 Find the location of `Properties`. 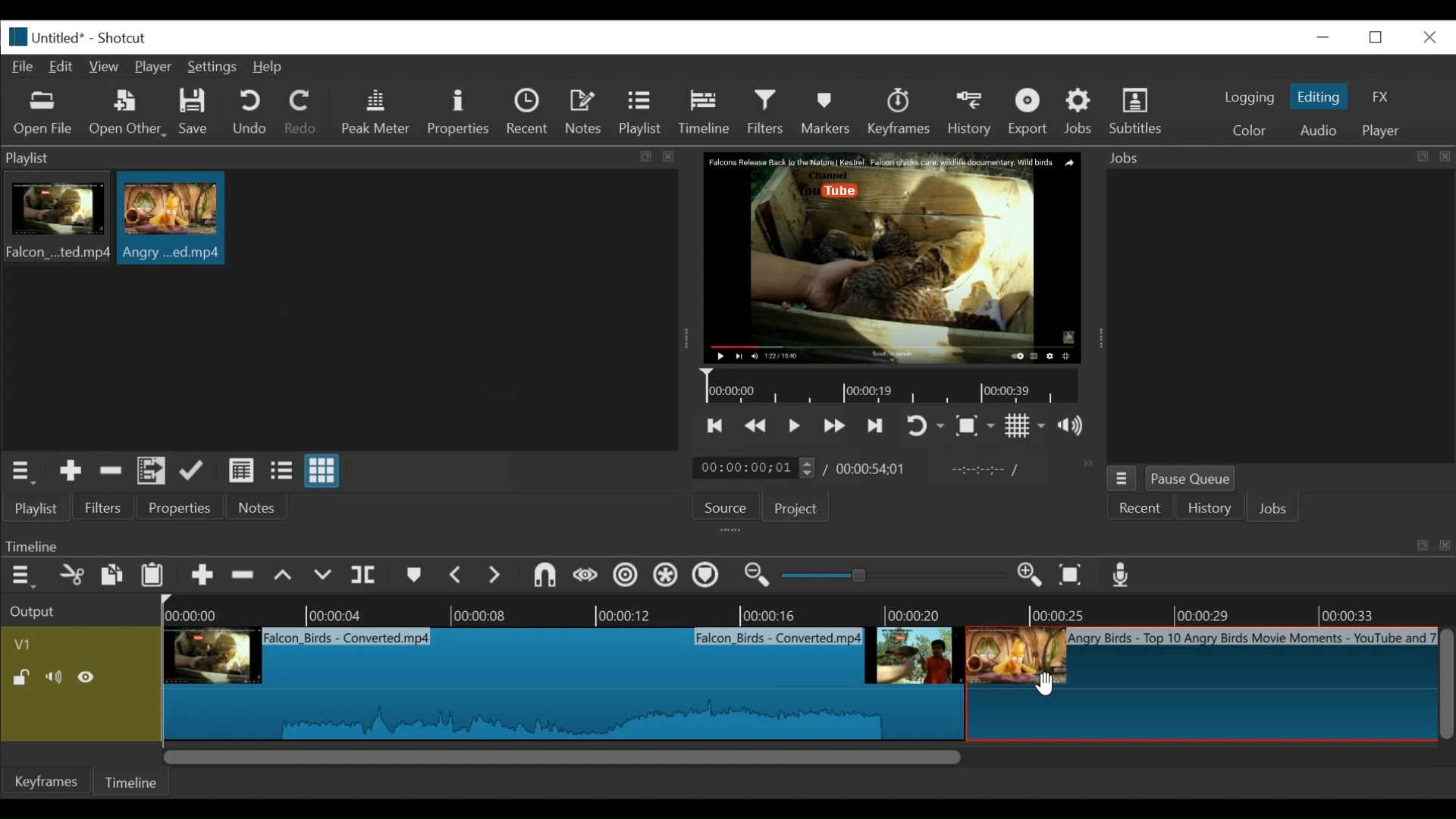

Properties is located at coordinates (460, 112).